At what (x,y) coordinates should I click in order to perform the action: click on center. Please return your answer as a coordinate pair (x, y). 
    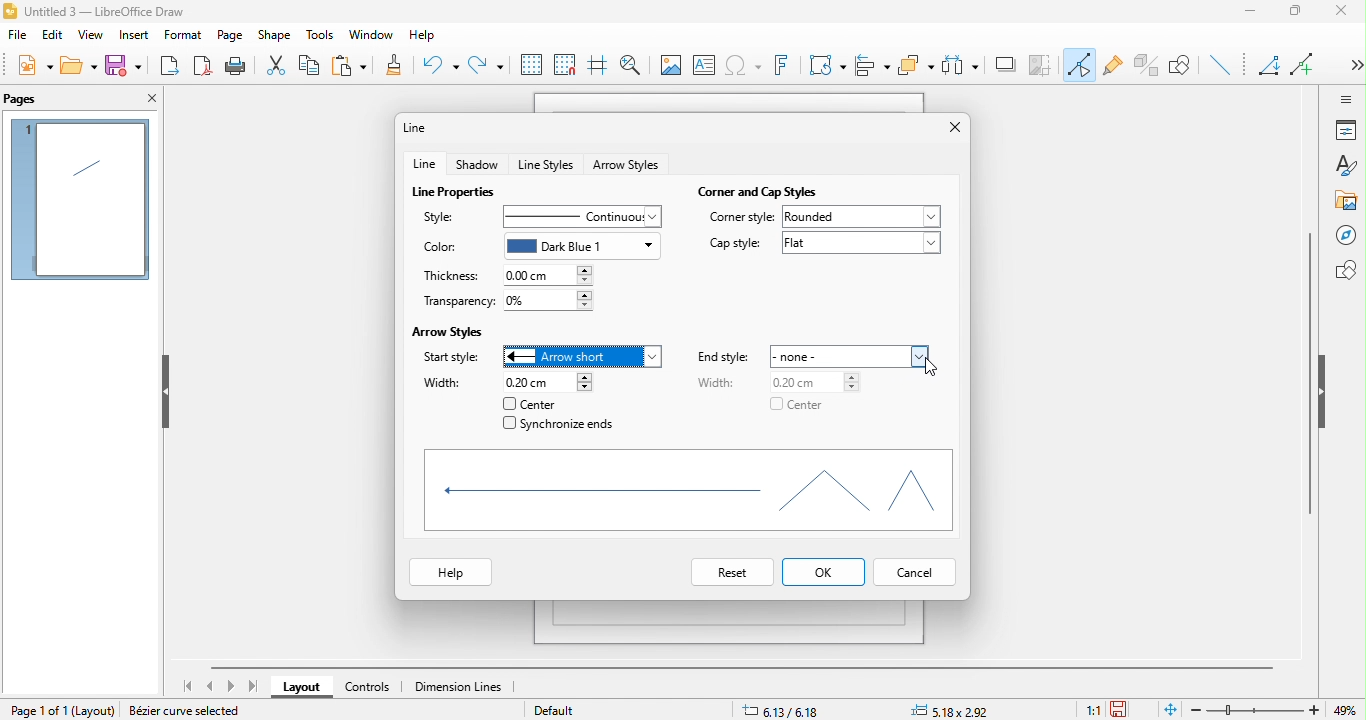
    Looking at the image, I should click on (798, 408).